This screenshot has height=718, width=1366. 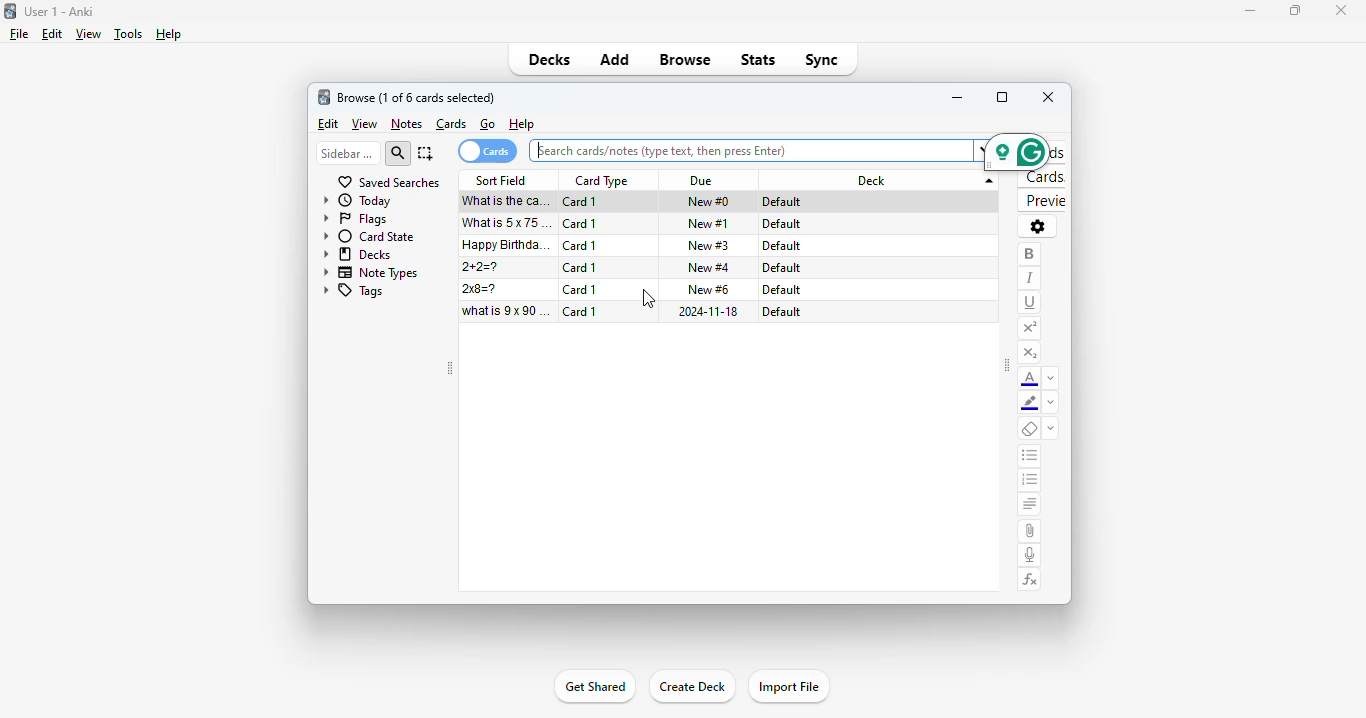 I want to click on select formatting to remove, so click(x=1051, y=430).